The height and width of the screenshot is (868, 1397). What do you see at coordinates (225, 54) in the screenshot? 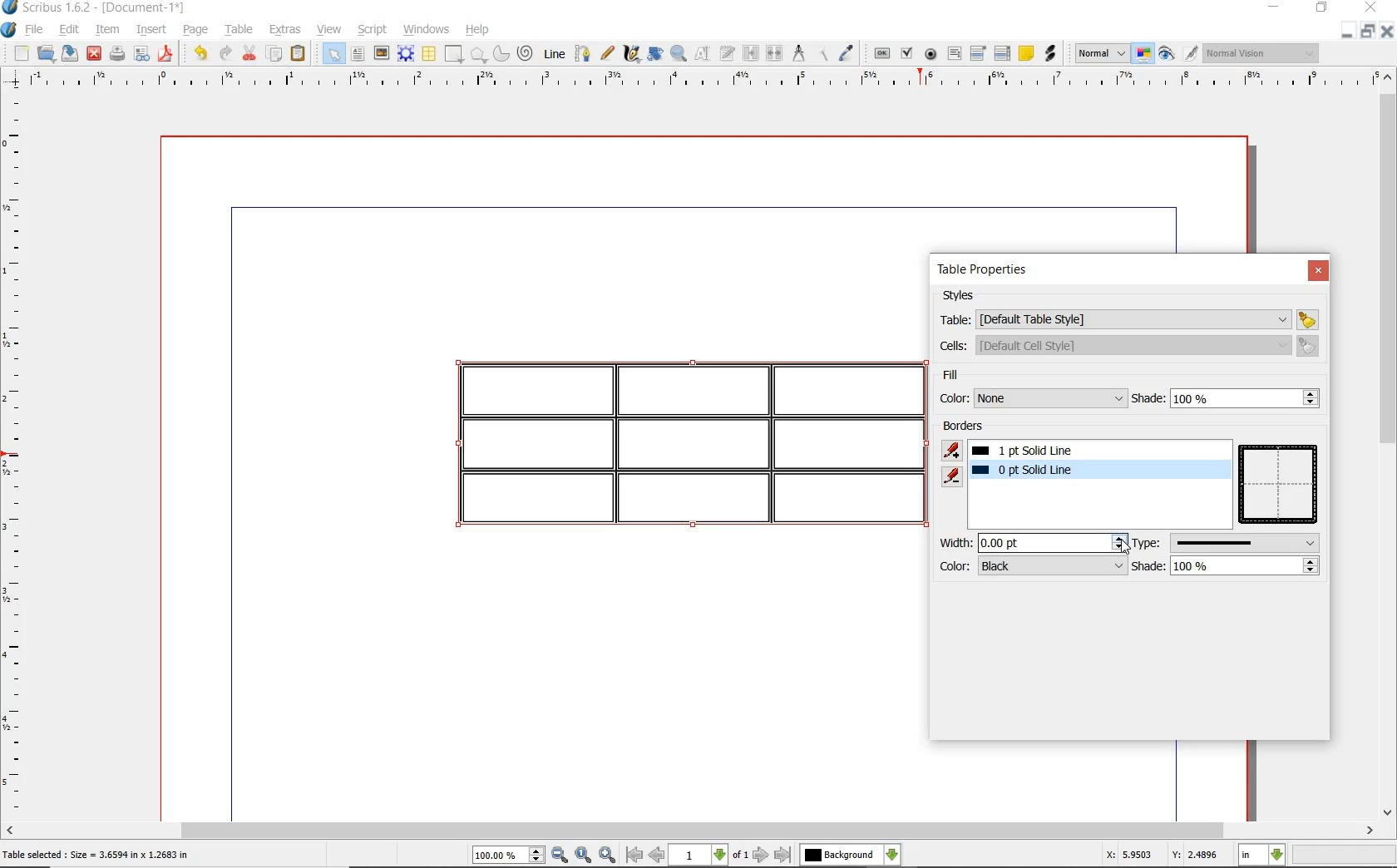
I see `redo` at bounding box center [225, 54].